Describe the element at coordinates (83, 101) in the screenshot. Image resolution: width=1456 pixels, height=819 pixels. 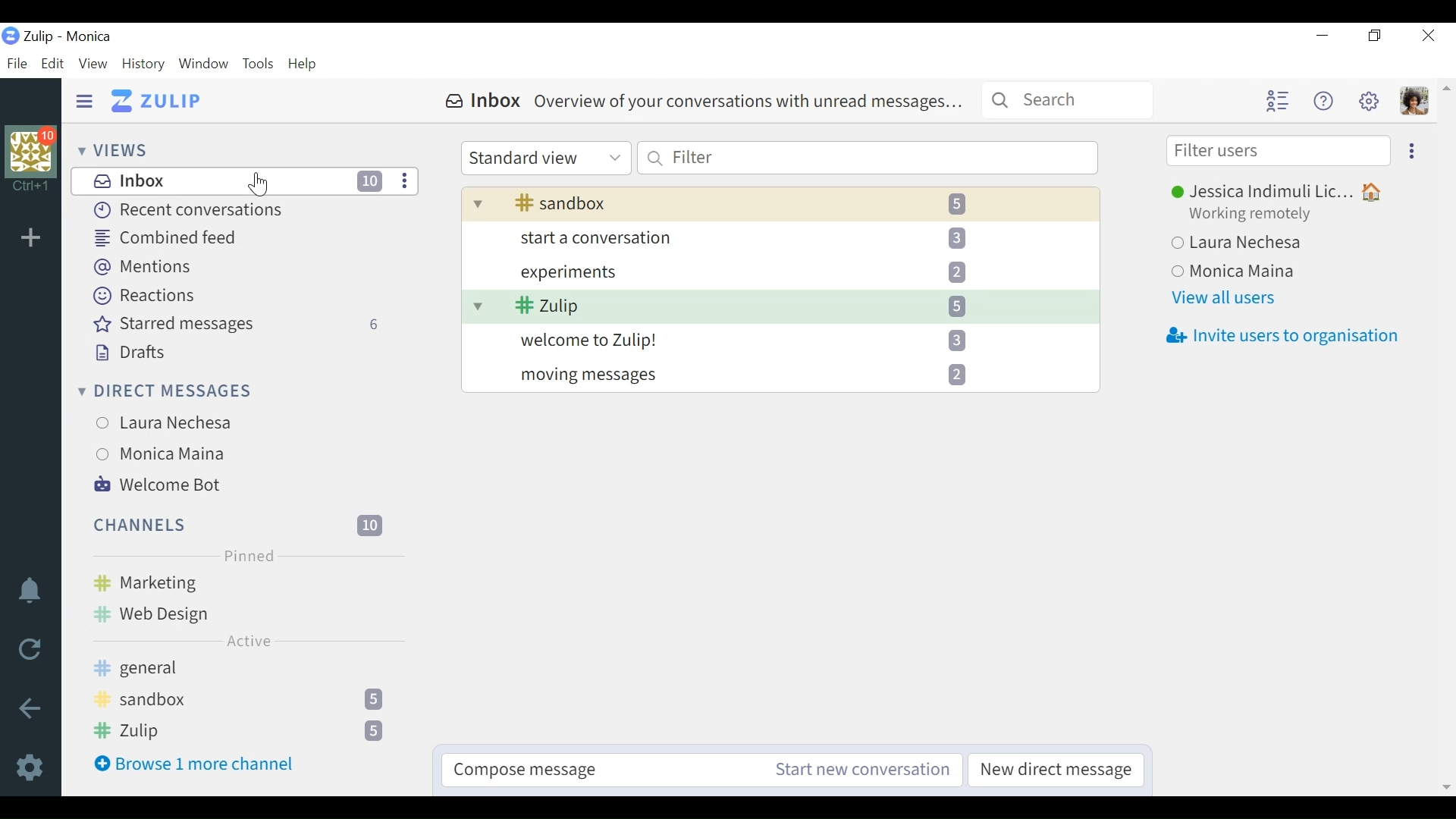
I see `Hide Sidebar` at that location.